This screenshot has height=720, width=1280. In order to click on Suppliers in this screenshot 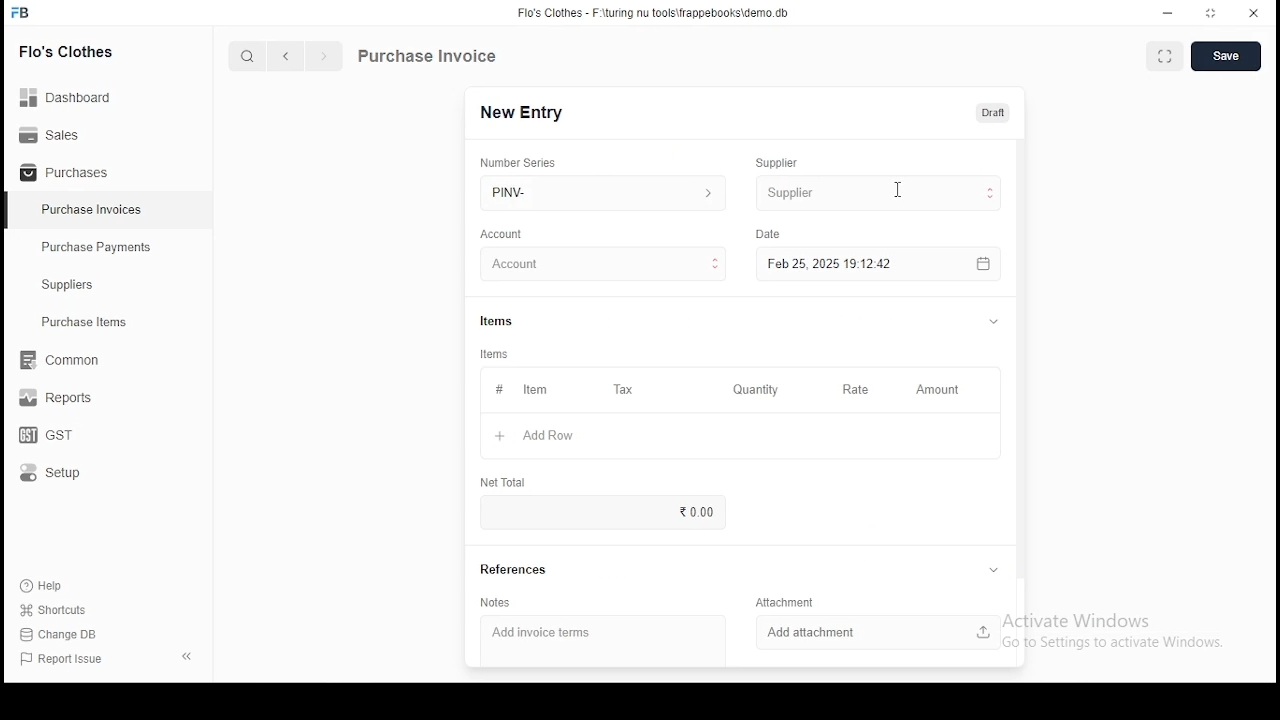, I will do `click(72, 285)`.